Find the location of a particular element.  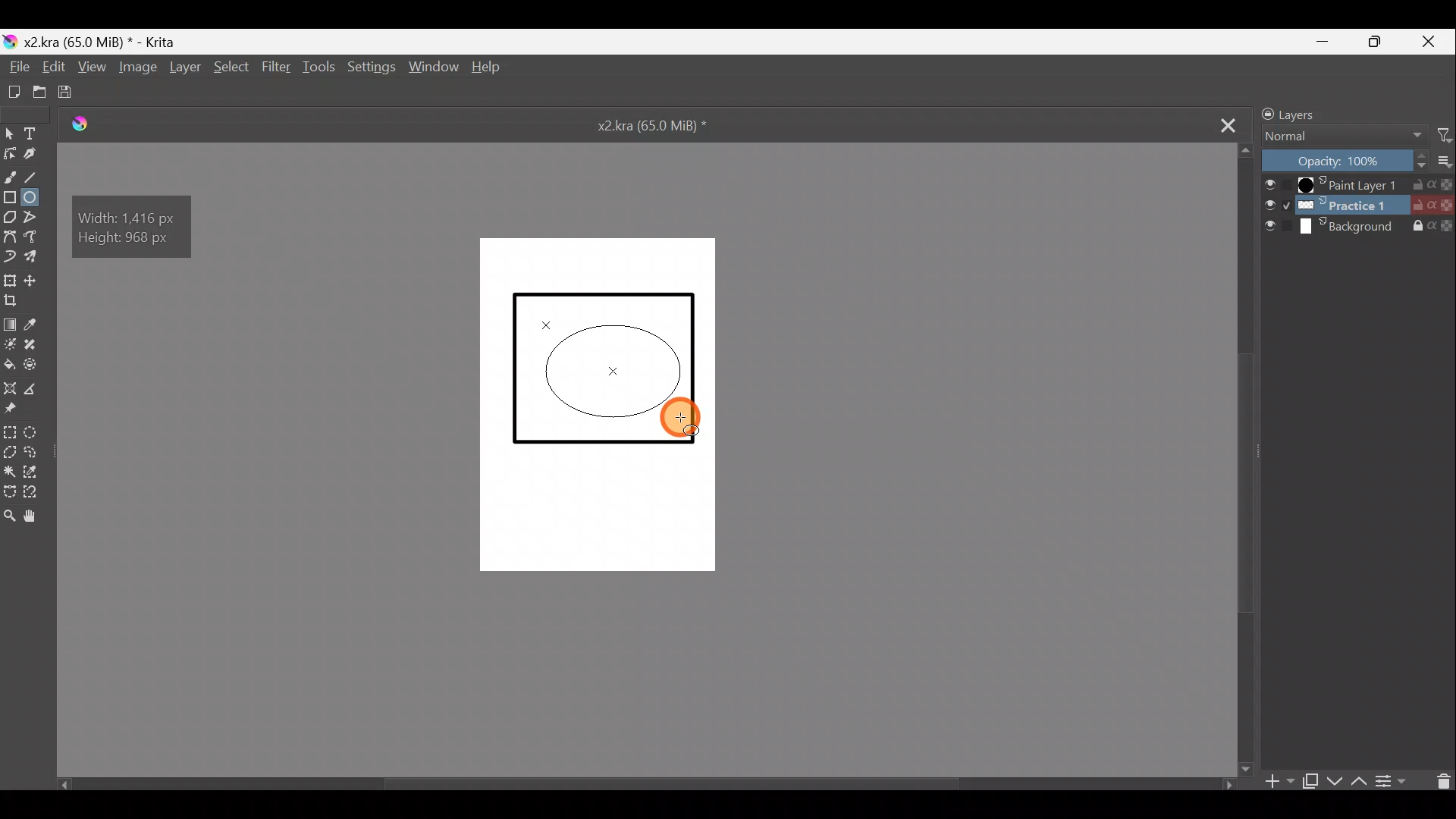

Maximize is located at coordinates (1385, 45).